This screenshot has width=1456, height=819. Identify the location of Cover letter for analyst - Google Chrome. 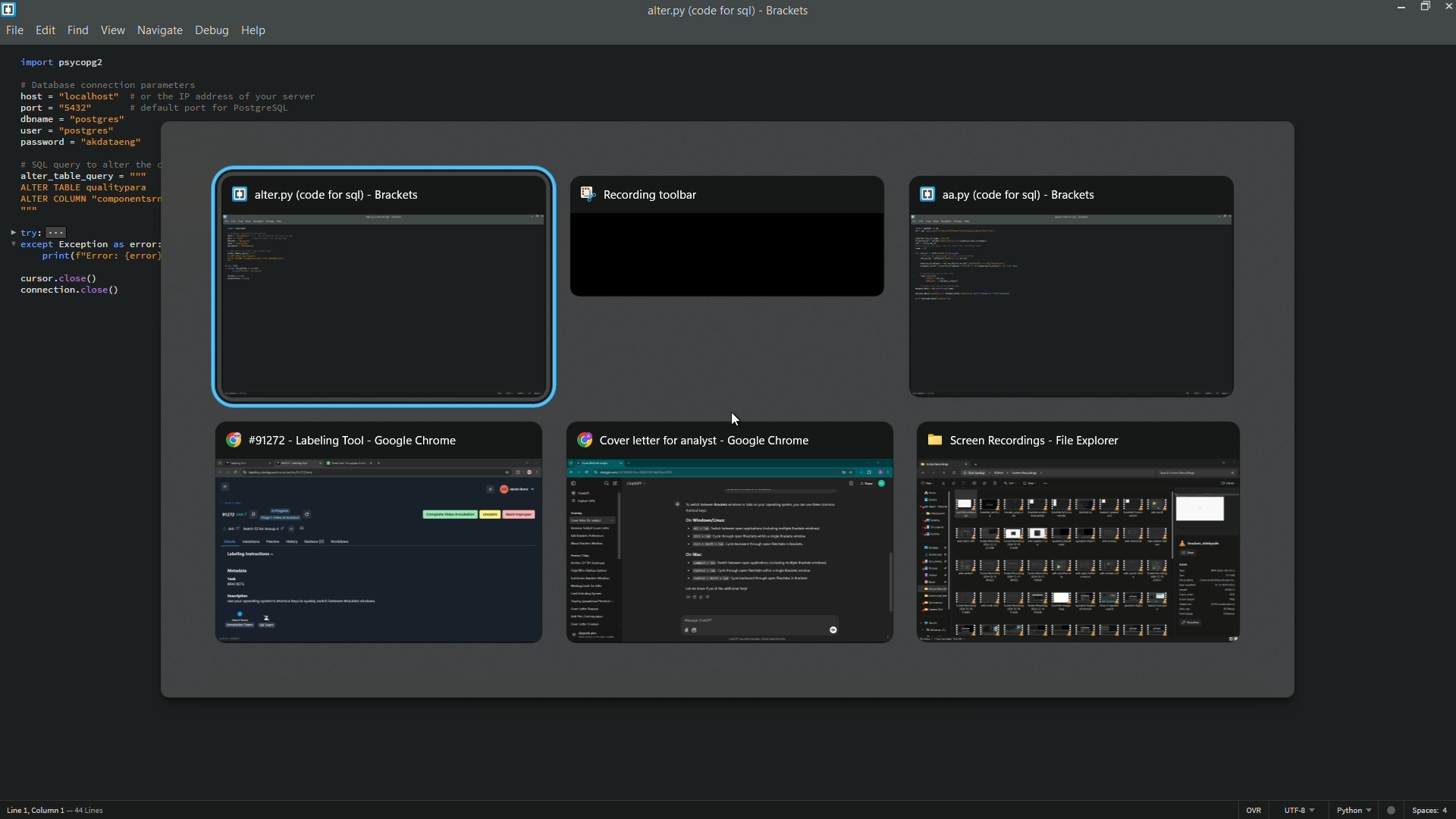
(729, 531).